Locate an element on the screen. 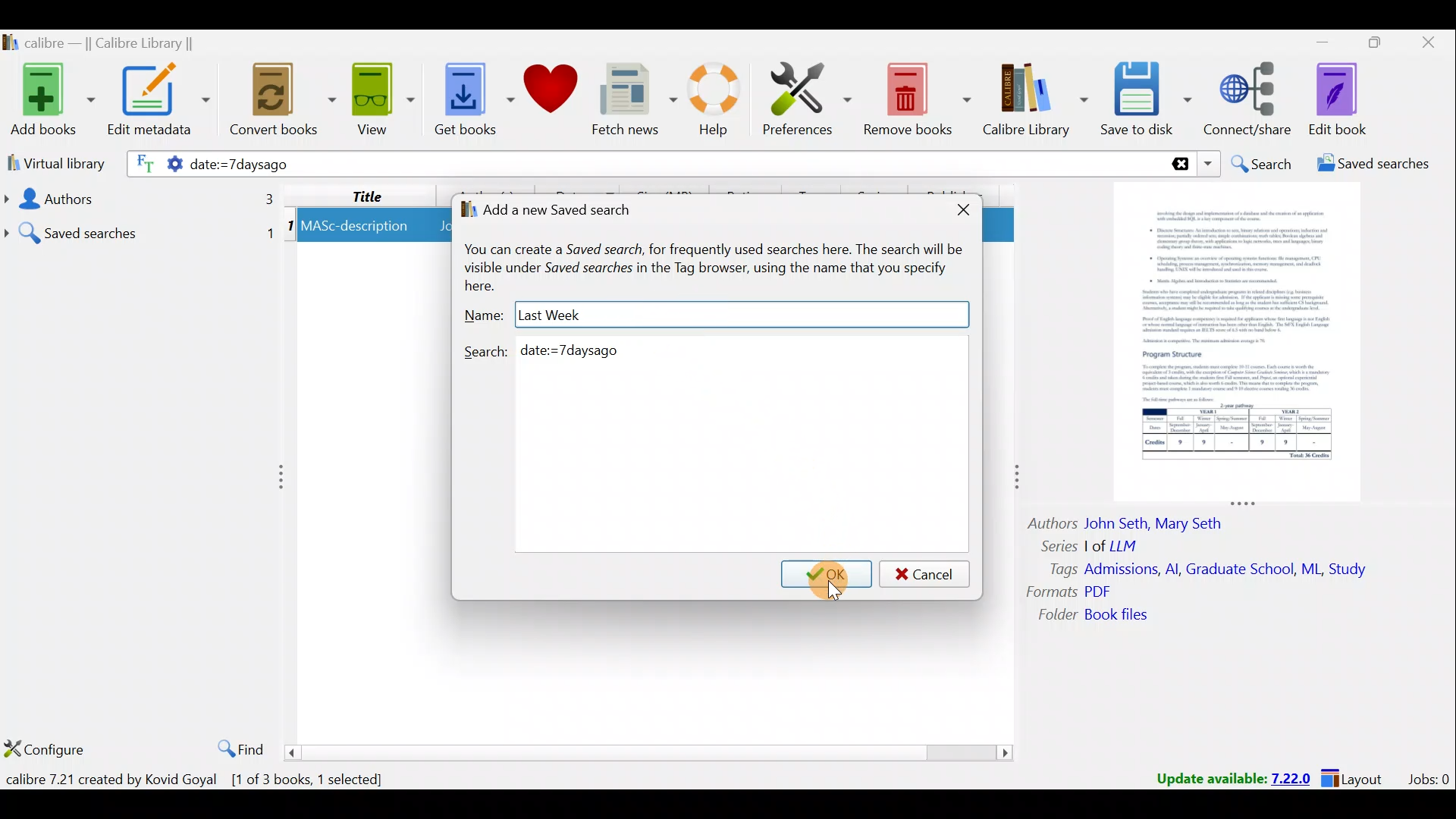 The width and height of the screenshot is (1456, 819). Convert books is located at coordinates (284, 104).